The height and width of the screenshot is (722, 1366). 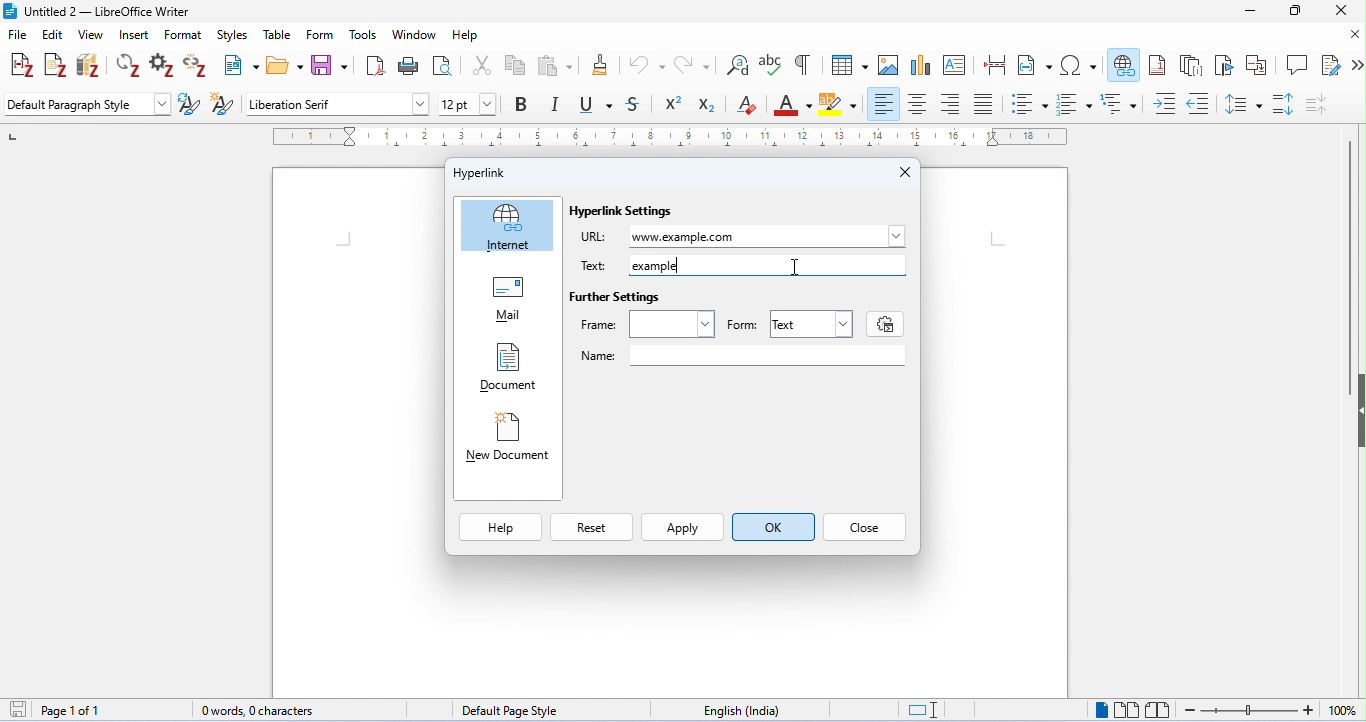 I want to click on example, so click(x=669, y=264).